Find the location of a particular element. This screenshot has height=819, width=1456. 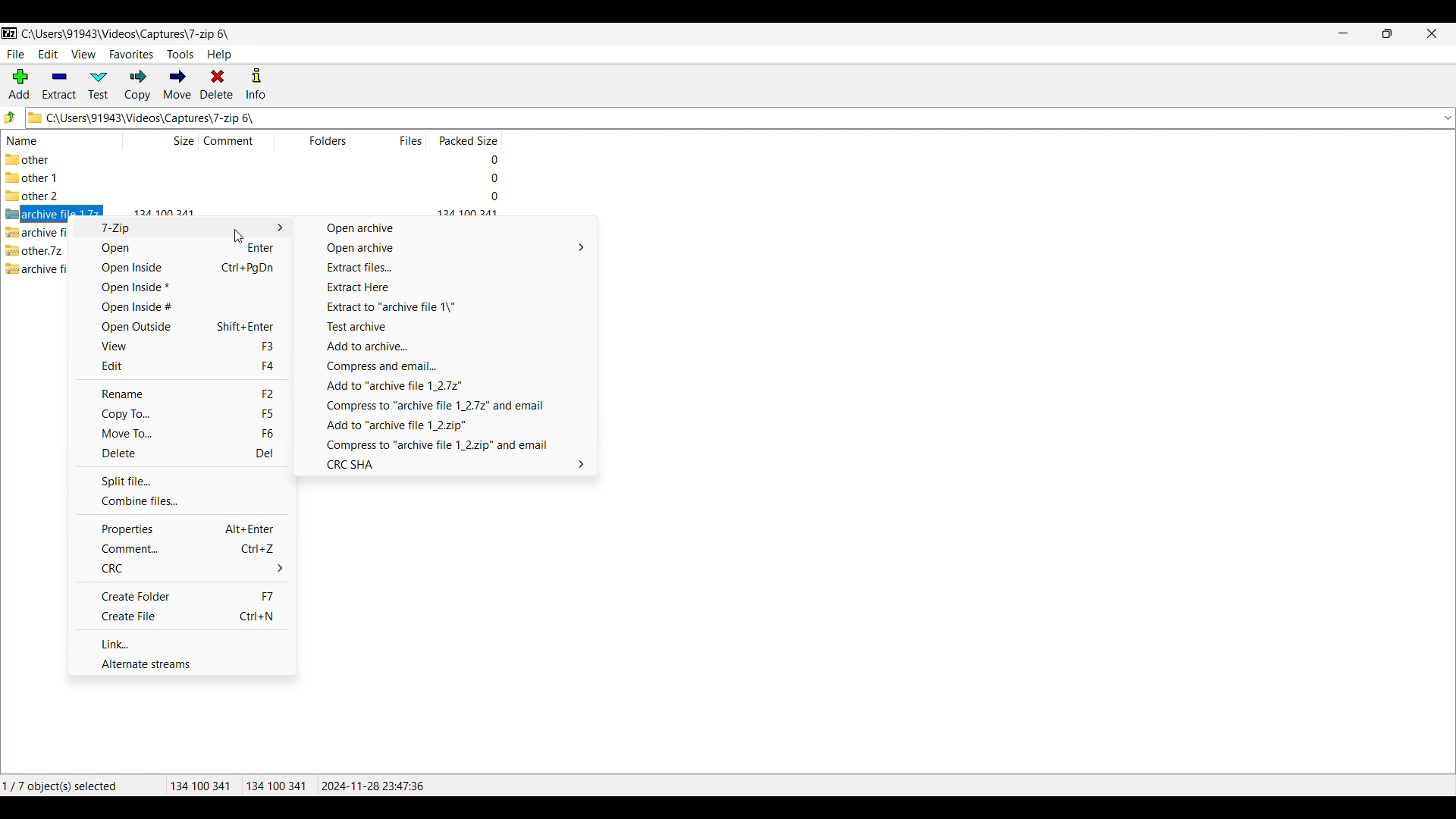

Compress and email is located at coordinates (448, 366).